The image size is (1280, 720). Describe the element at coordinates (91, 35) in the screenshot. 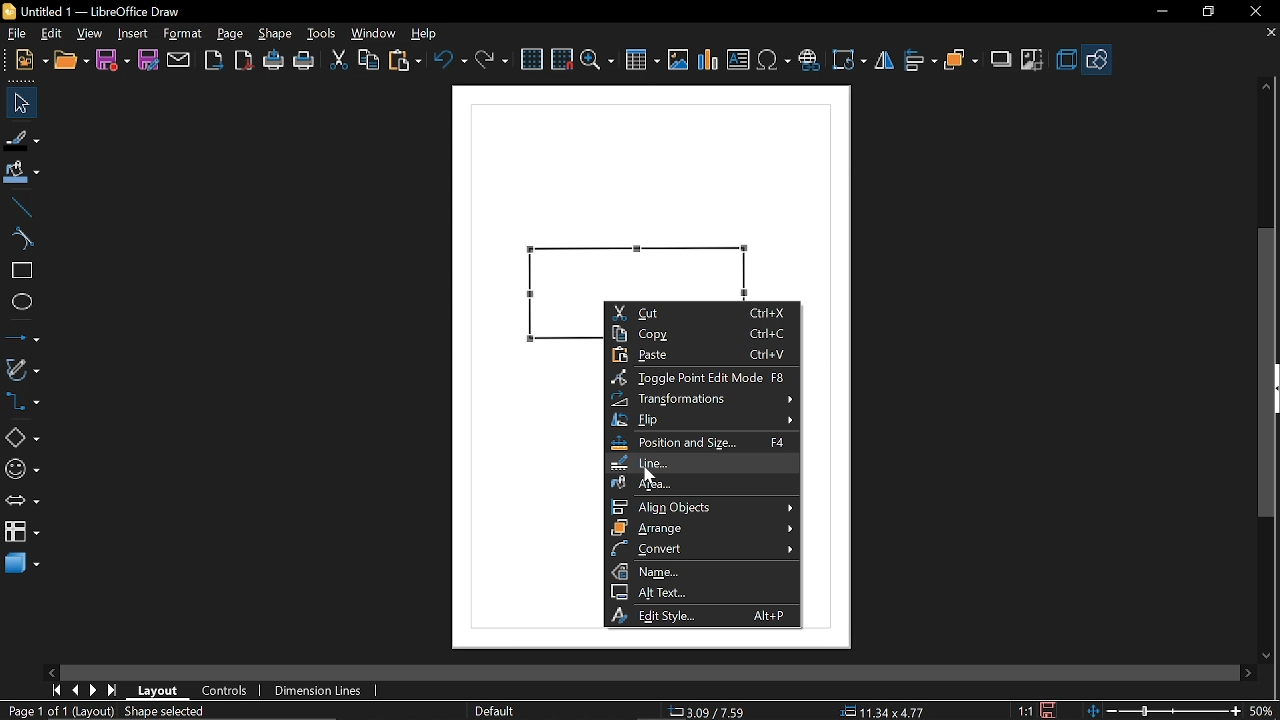

I see `view` at that location.